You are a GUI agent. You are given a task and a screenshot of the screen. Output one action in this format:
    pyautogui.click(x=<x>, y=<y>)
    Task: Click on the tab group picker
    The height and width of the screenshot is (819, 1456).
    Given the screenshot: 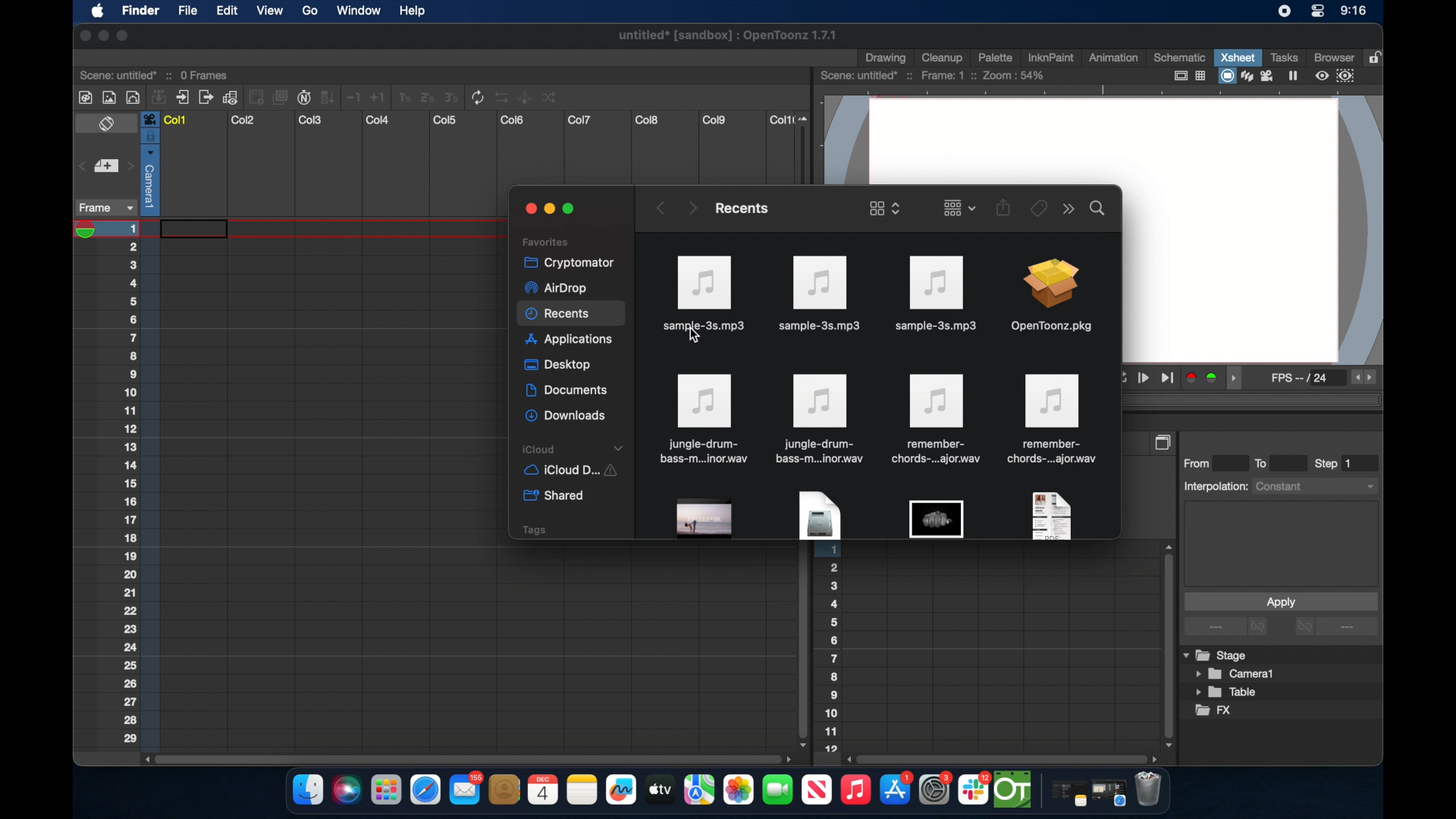 What is the action you would take?
    pyautogui.click(x=959, y=207)
    